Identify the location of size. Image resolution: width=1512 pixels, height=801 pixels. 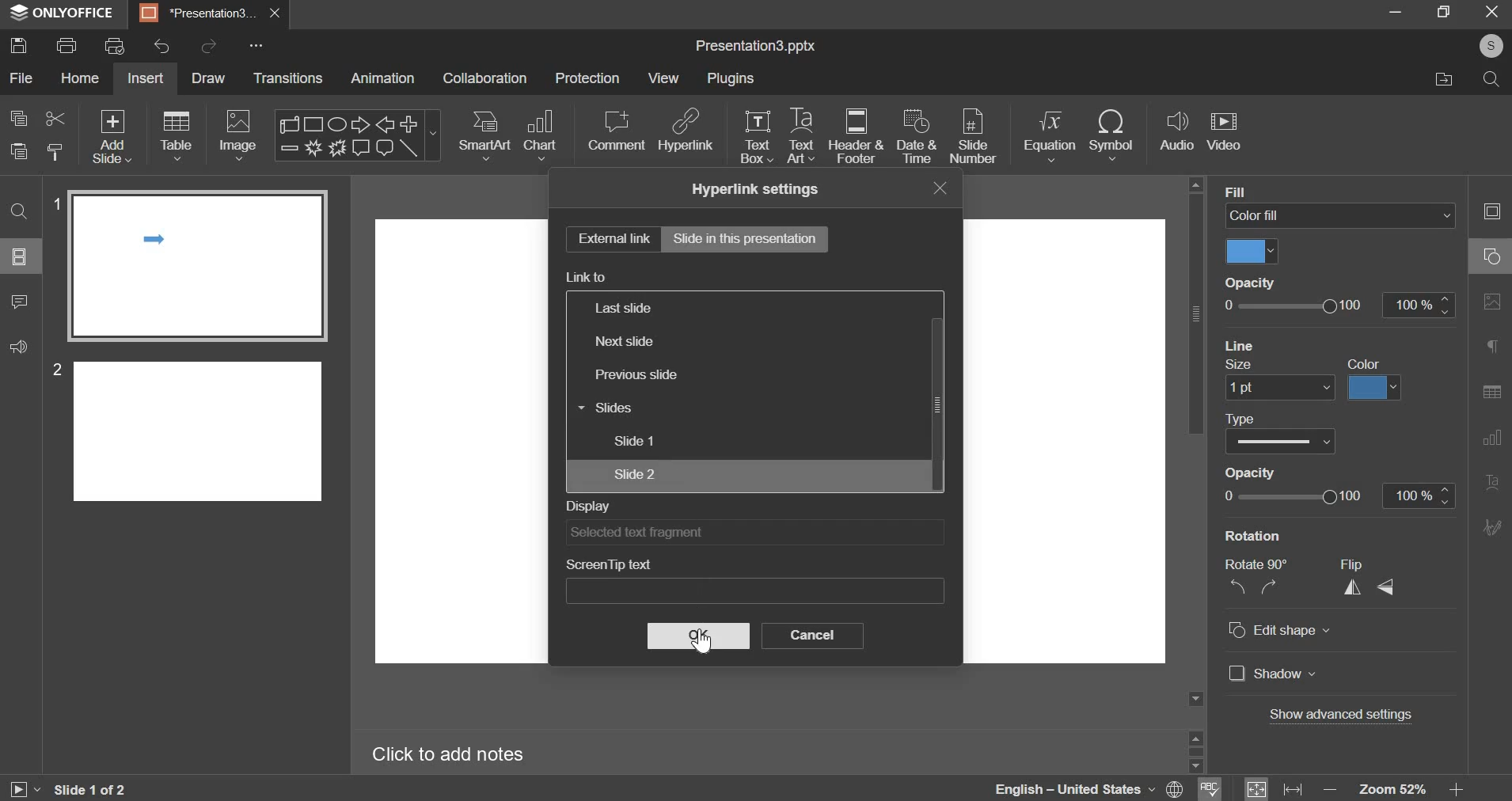
(1241, 366).